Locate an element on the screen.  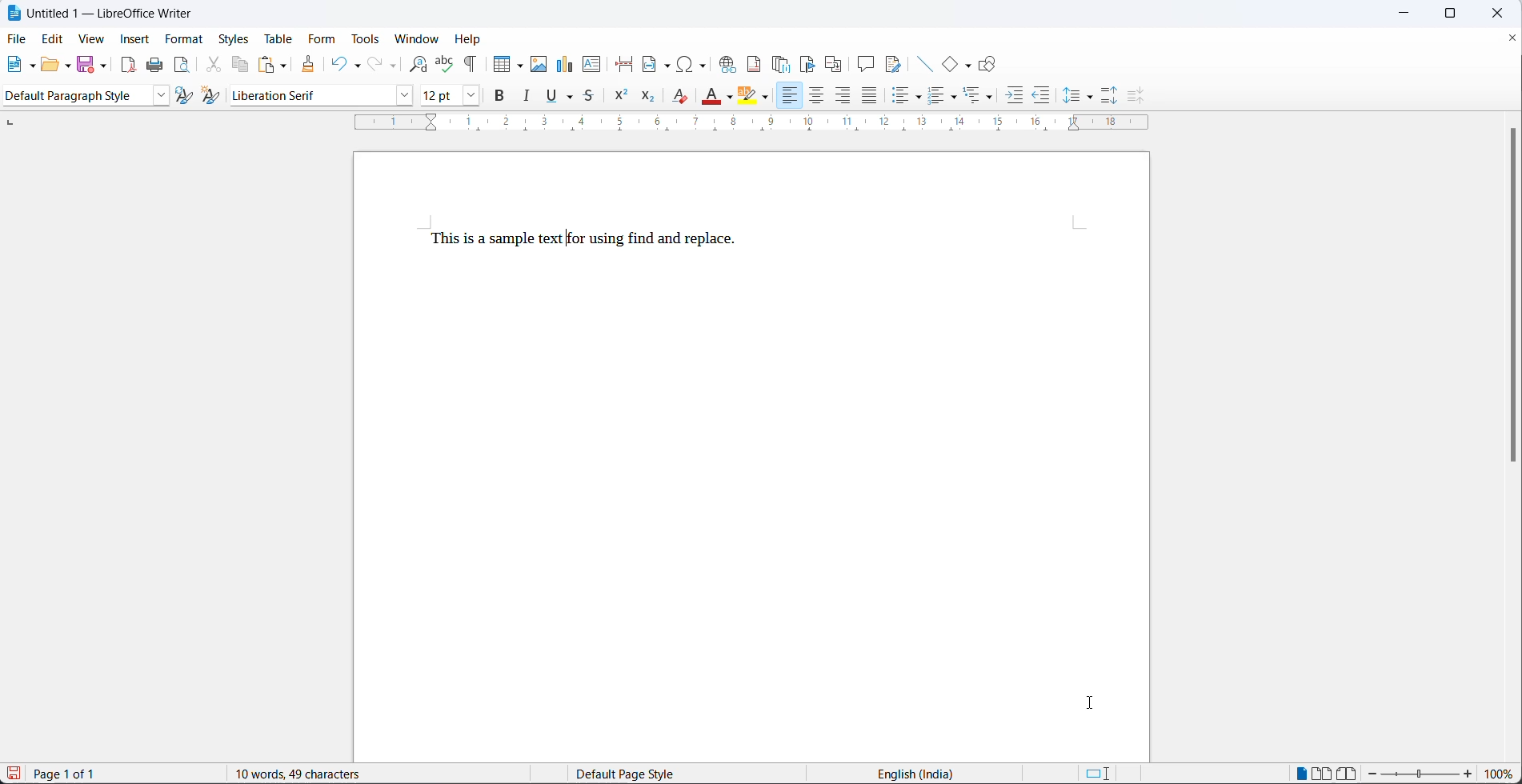
standard selection is located at coordinates (1097, 773).